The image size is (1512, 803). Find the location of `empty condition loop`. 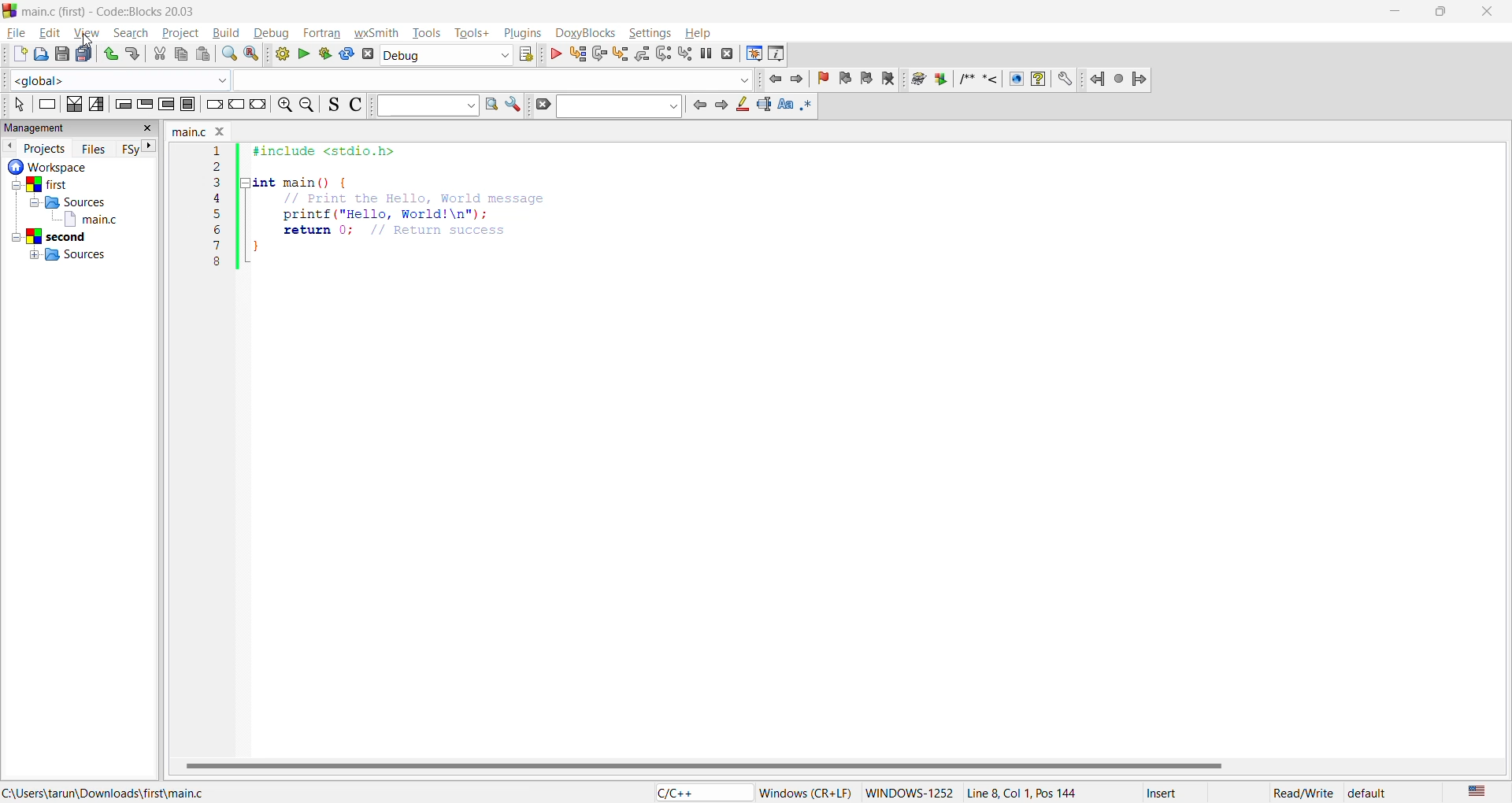

empty condition loop is located at coordinates (122, 106).